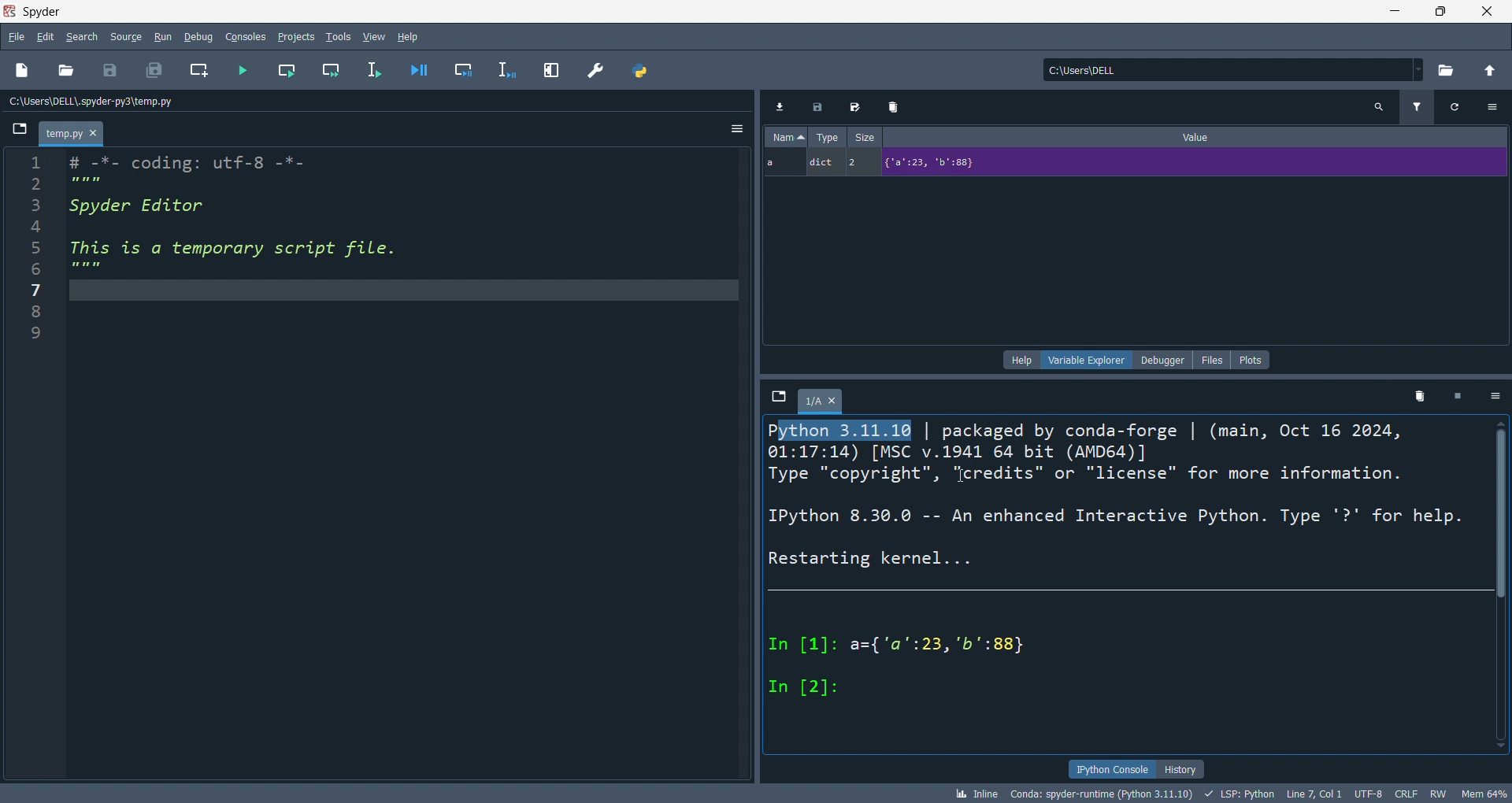 The image size is (1512, 803). I want to click on debug line, so click(513, 71).